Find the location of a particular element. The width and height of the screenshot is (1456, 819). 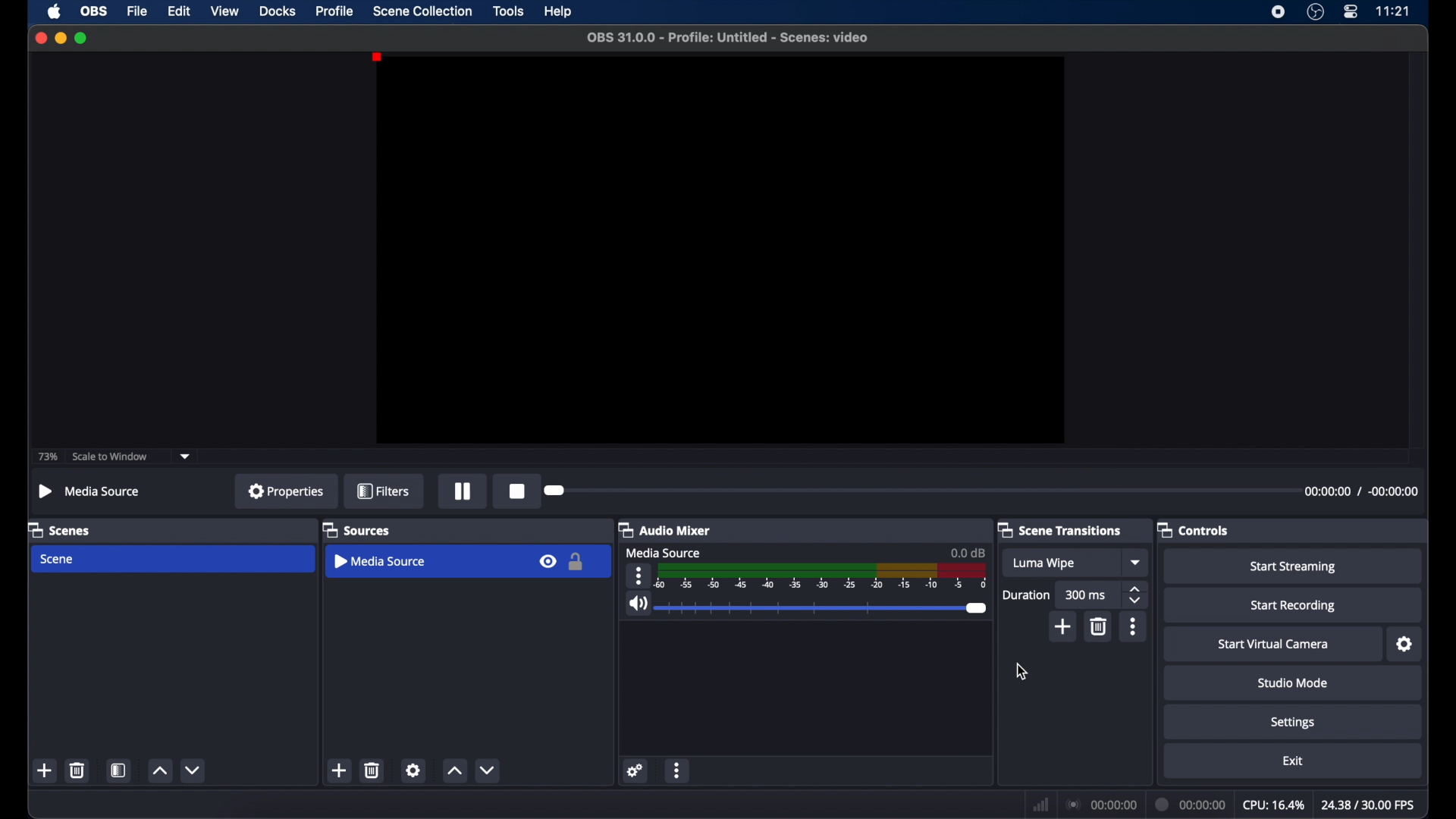

slider is located at coordinates (824, 608).